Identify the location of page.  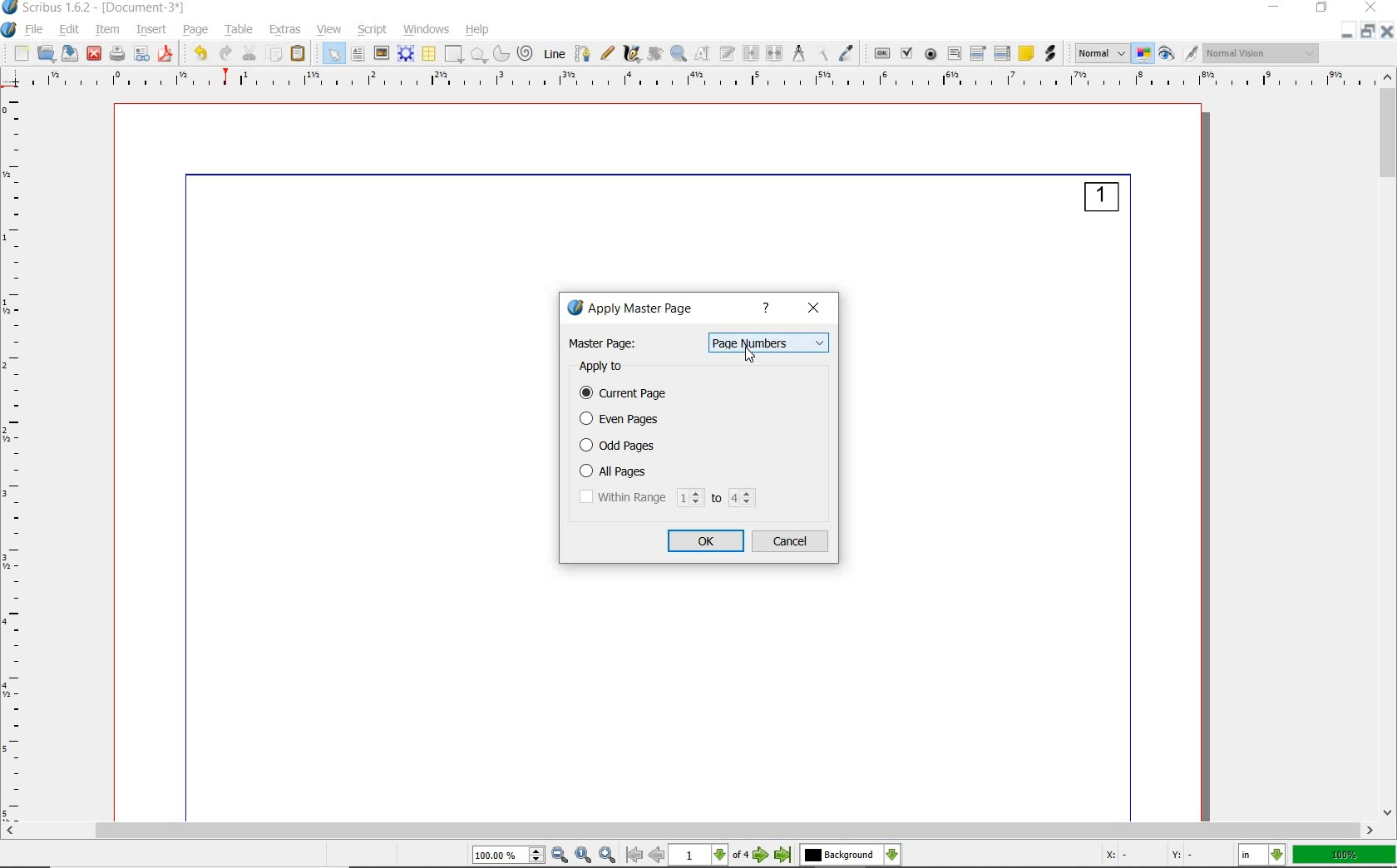
(195, 29).